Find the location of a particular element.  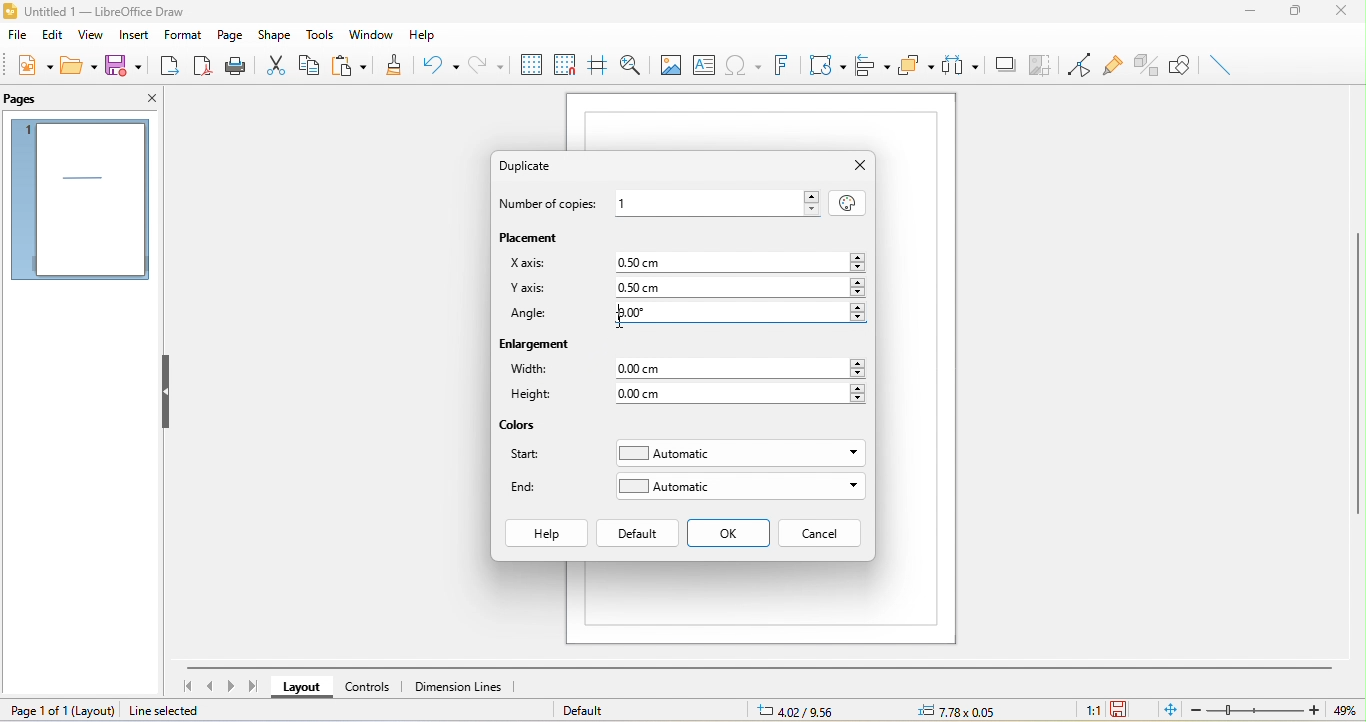

align objects is located at coordinates (874, 66).